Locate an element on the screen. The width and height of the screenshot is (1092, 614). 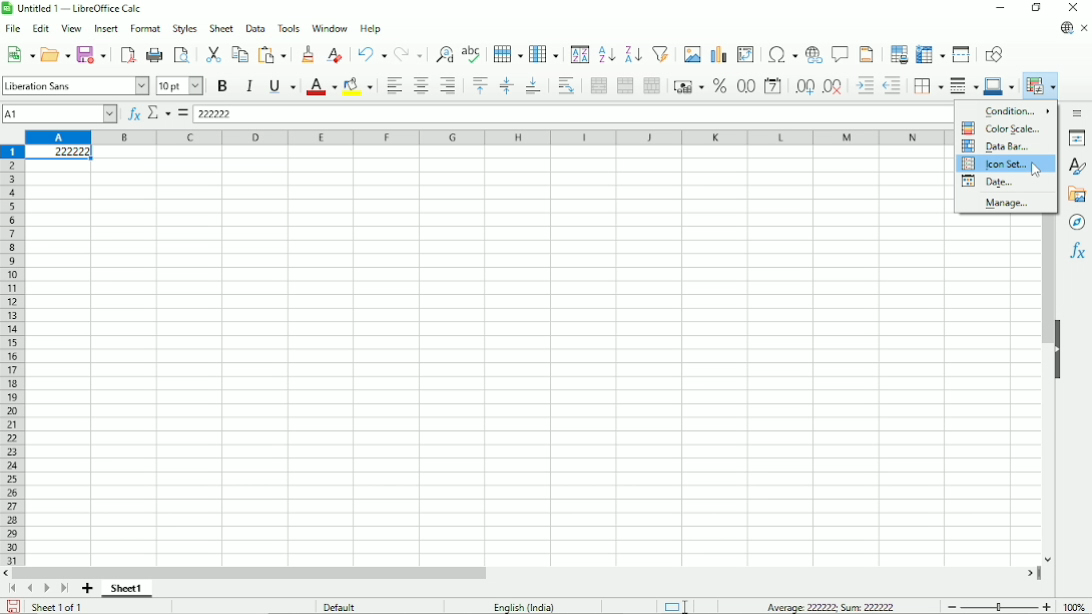
 is located at coordinates (1073, 8).